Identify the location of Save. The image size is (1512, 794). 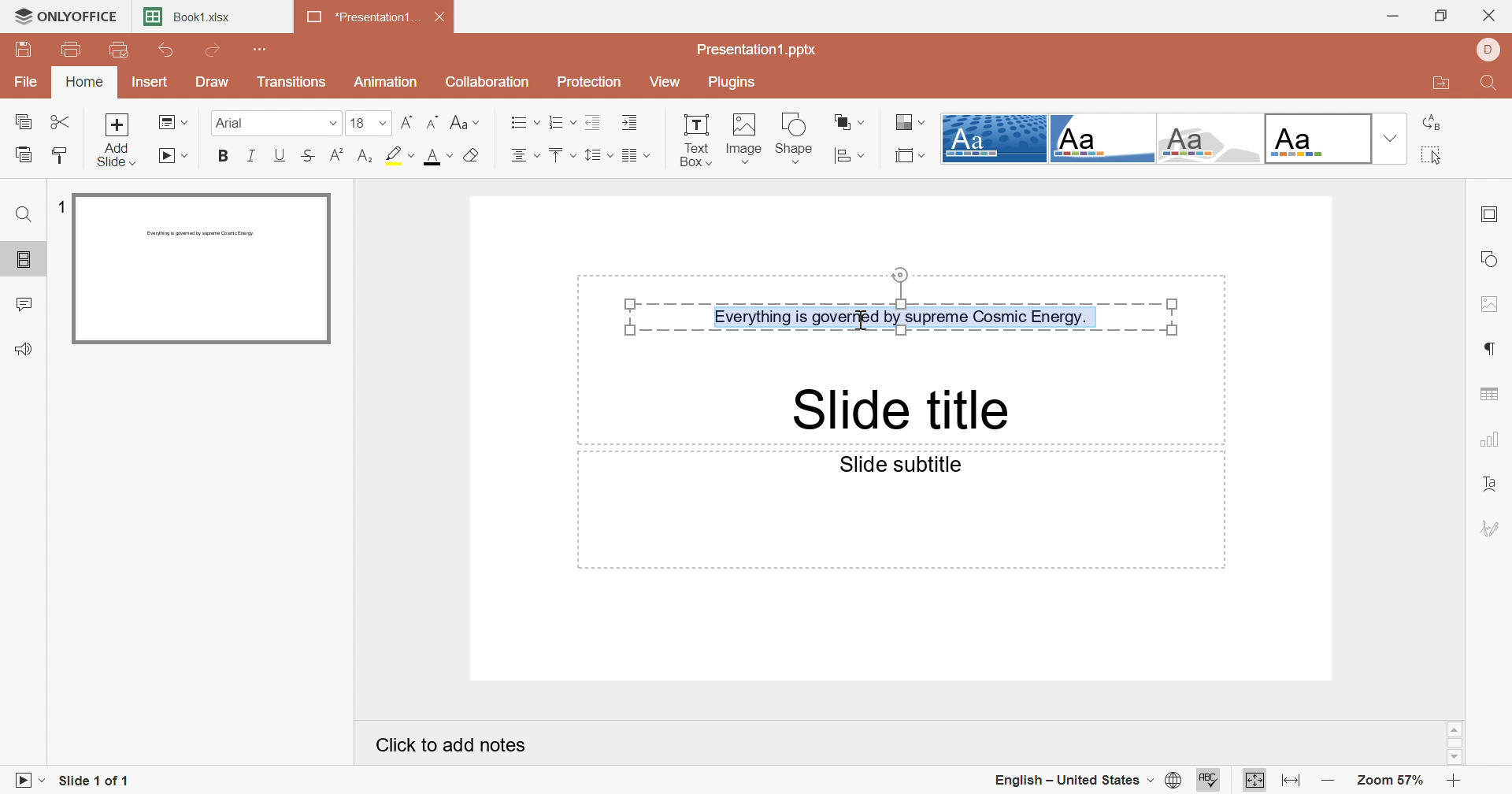
(28, 50).